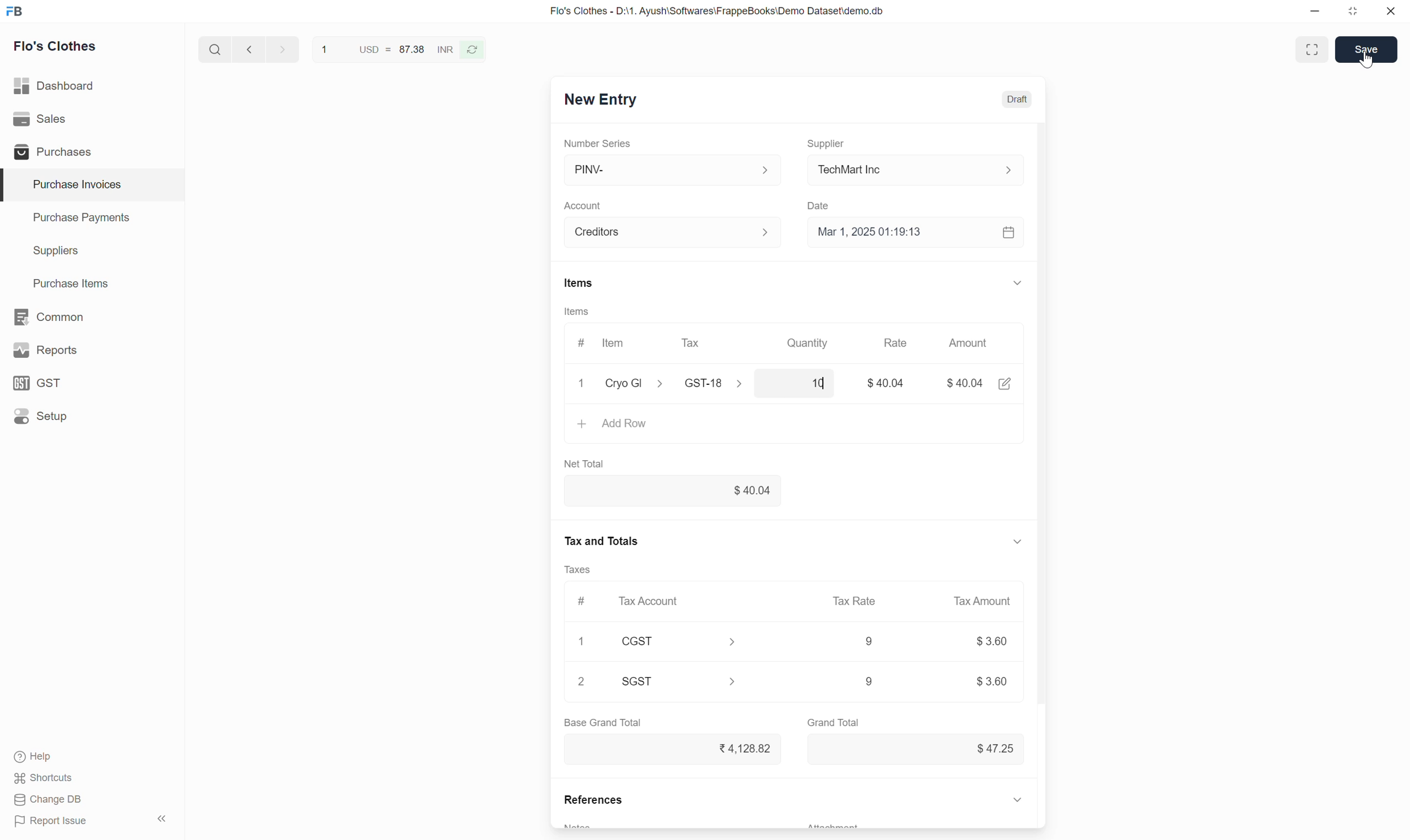  What do you see at coordinates (1351, 14) in the screenshot?
I see `restore down` at bounding box center [1351, 14].